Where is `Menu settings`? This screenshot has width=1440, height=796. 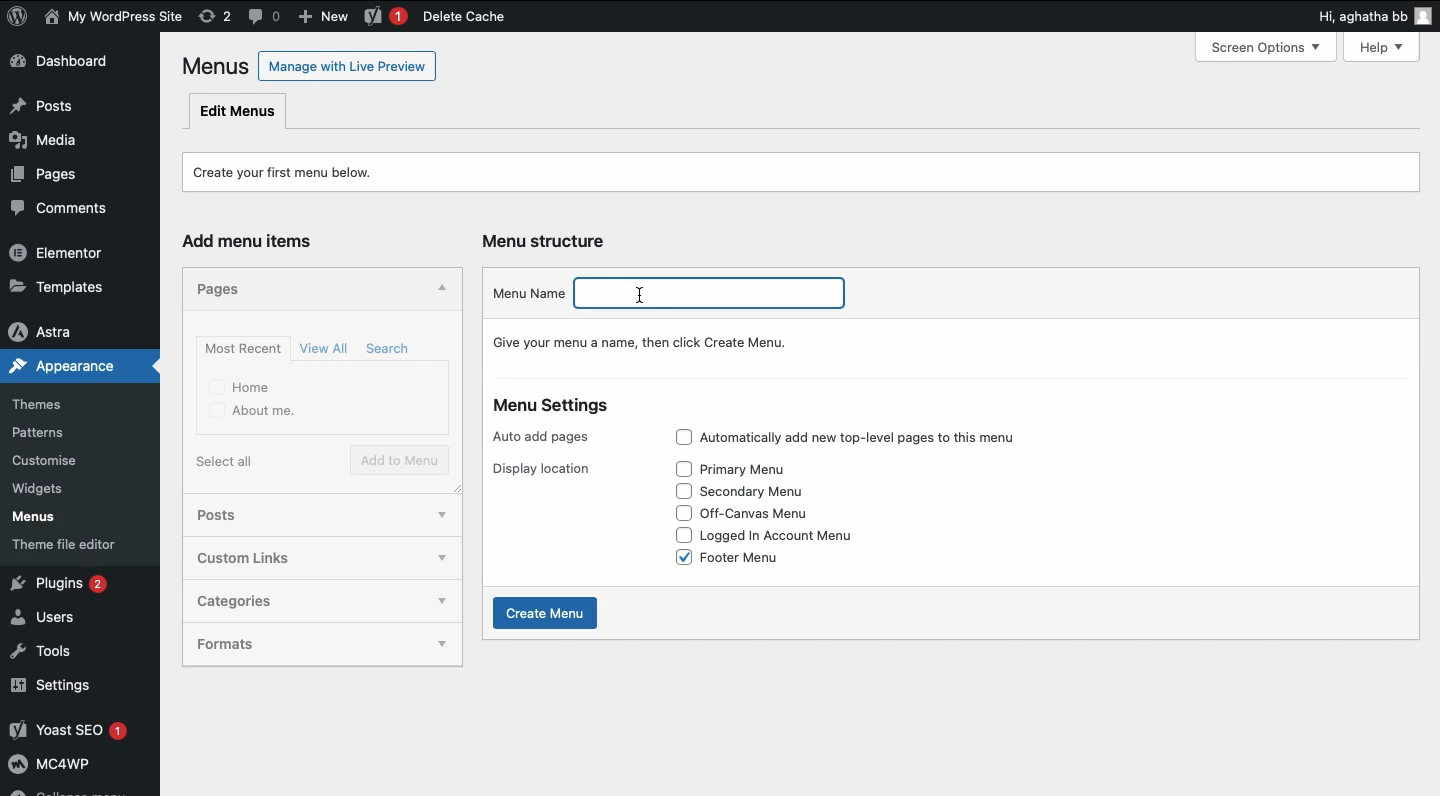
Menu settings is located at coordinates (552, 408).